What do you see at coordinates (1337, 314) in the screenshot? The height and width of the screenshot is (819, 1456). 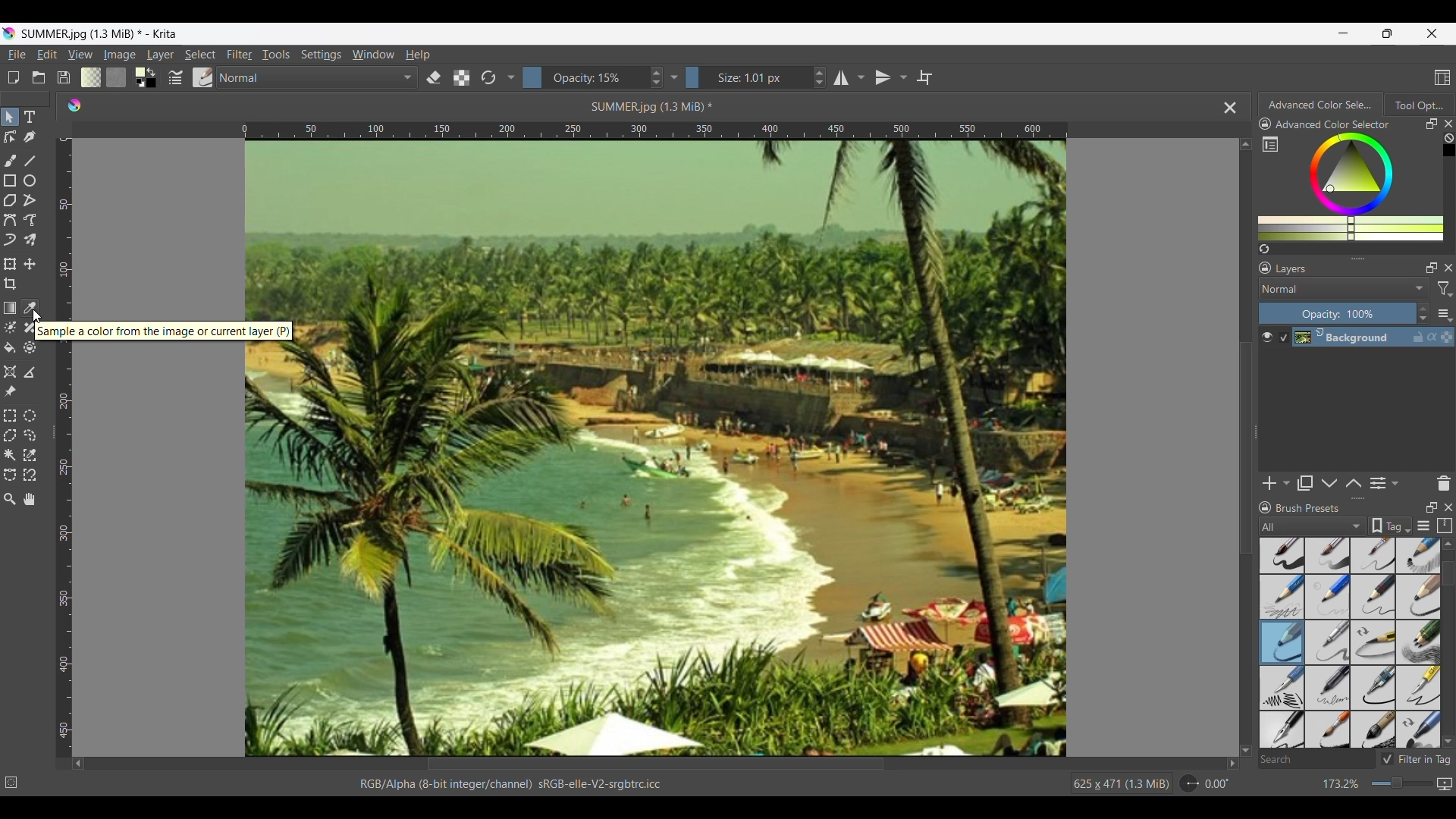 I see `Opacity: 100%` at bounding box center [1337, 314].